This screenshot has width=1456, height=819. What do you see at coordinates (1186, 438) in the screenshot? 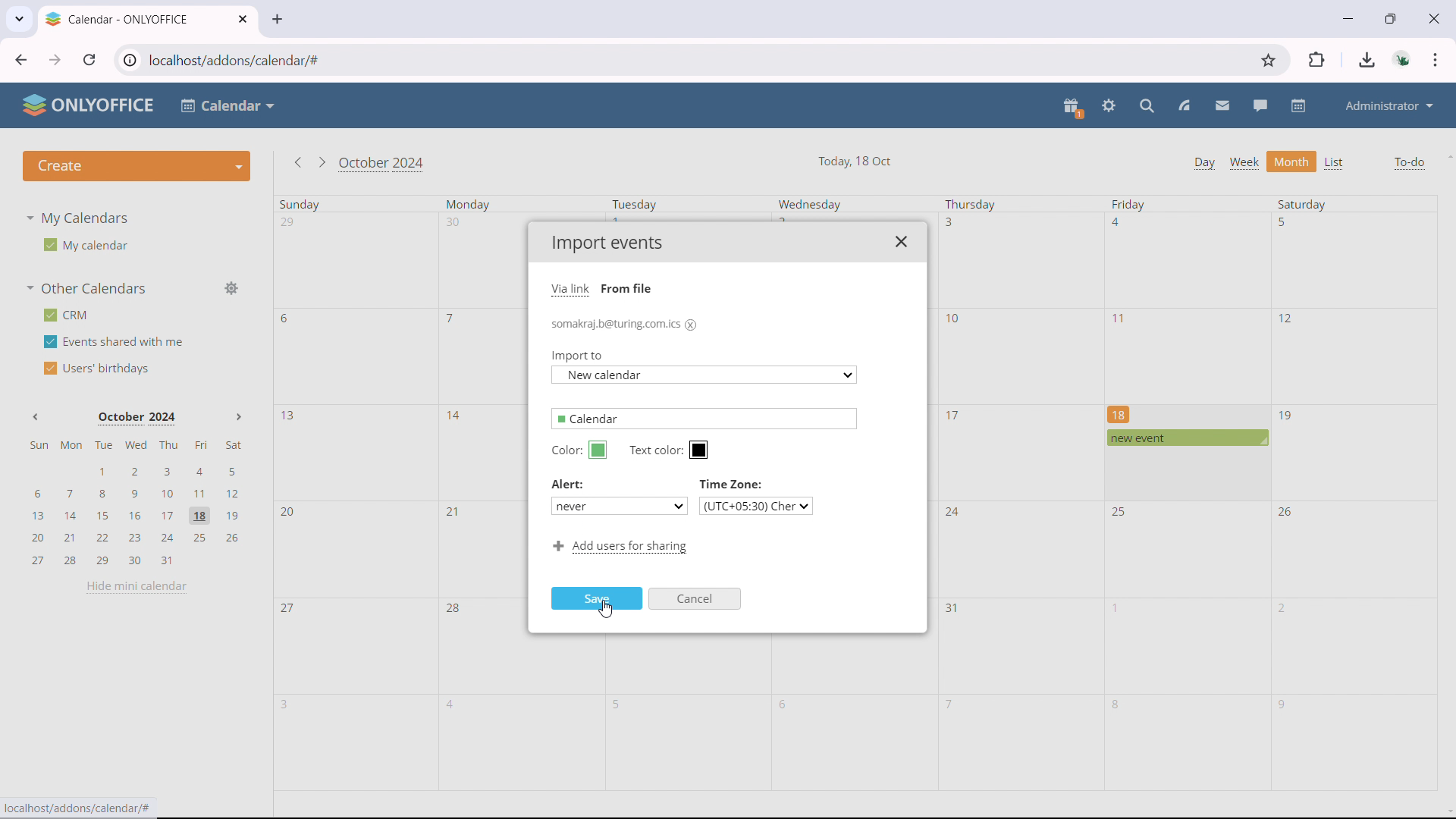
I see `scheduled event` at bounding box center [1186, 438].